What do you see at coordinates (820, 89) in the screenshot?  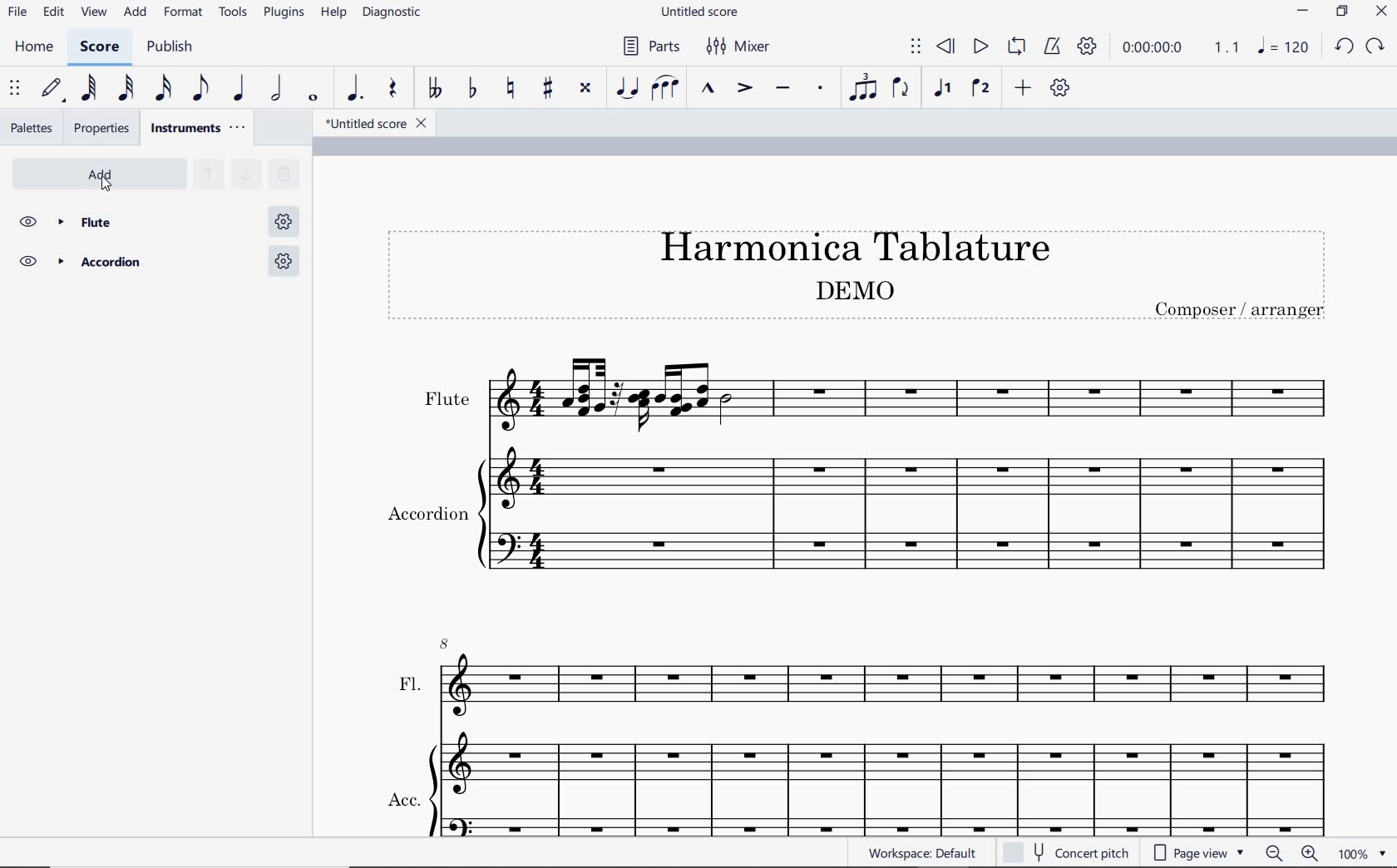 I see `staccato` at bounding box center [820, 89].